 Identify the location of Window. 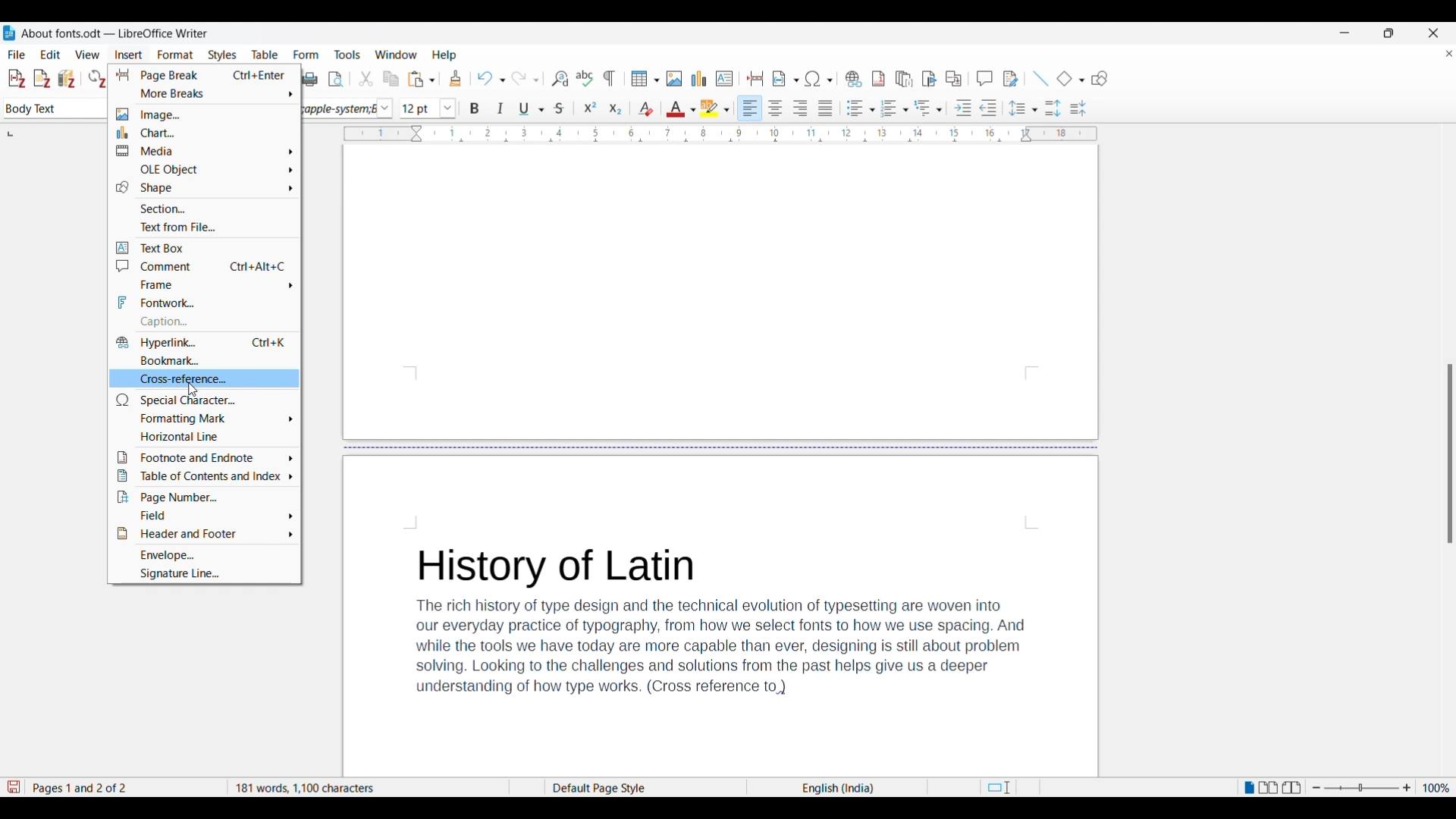
(396, 55).